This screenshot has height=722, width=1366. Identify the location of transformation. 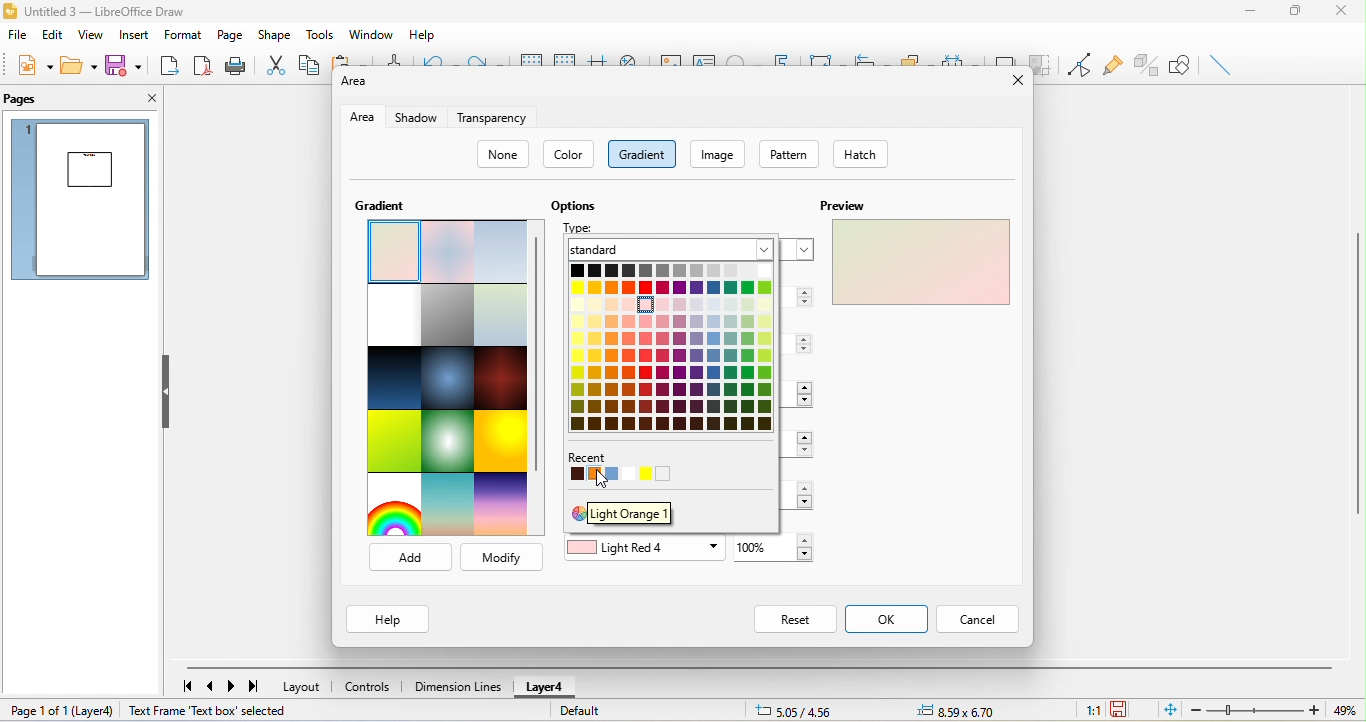
(821, 56).